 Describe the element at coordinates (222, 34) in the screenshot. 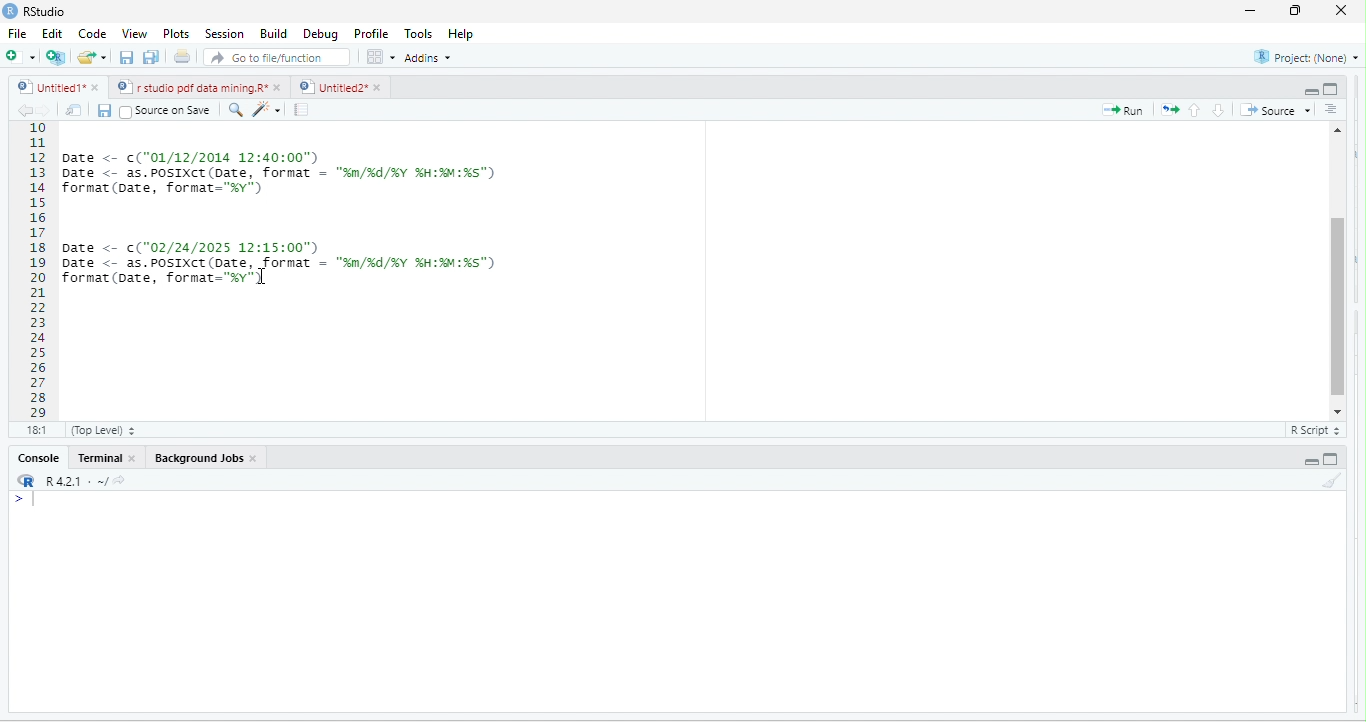

I see `Session` at that location.